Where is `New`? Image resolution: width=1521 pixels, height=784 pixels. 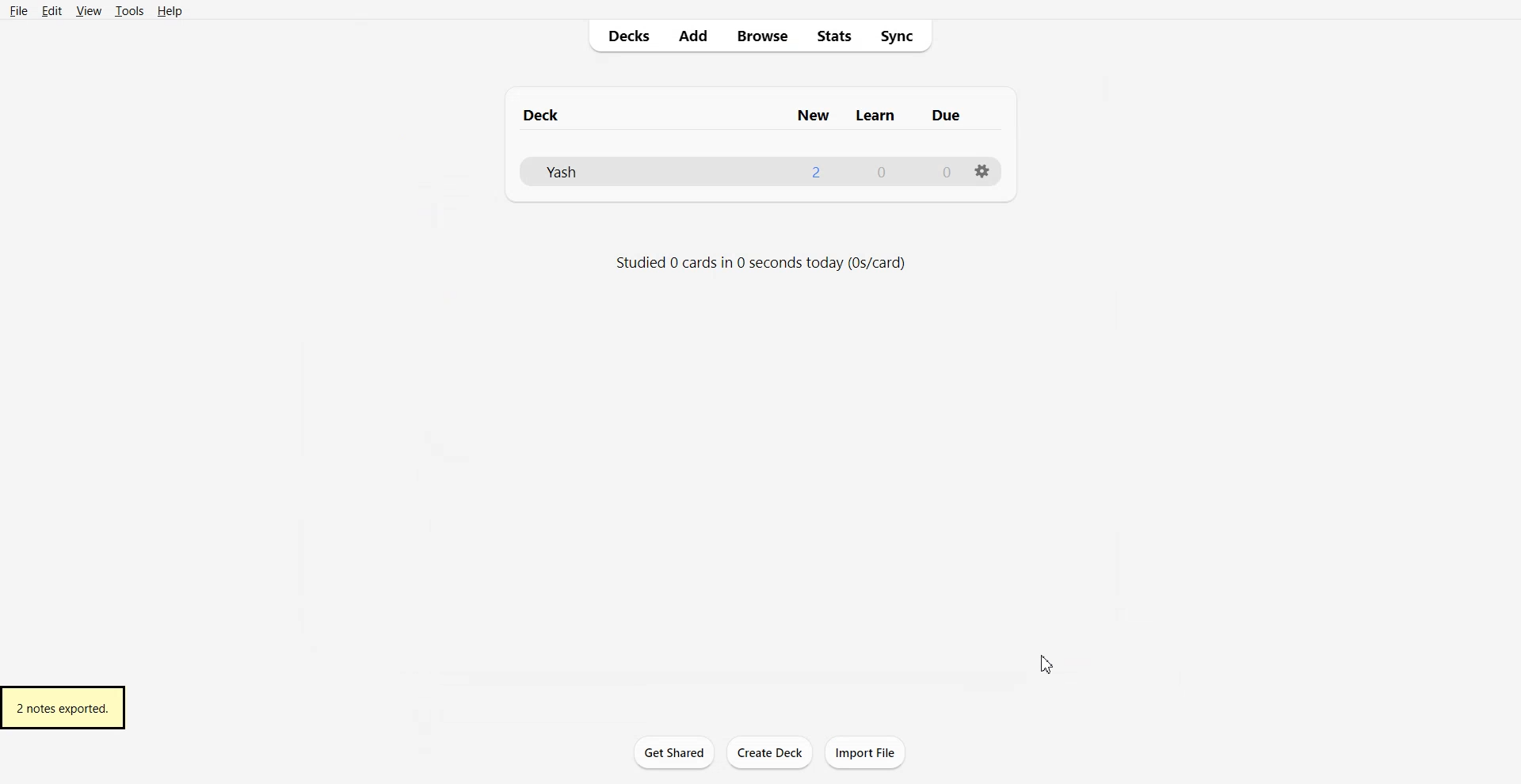
New is located at coordinates (816, 116).